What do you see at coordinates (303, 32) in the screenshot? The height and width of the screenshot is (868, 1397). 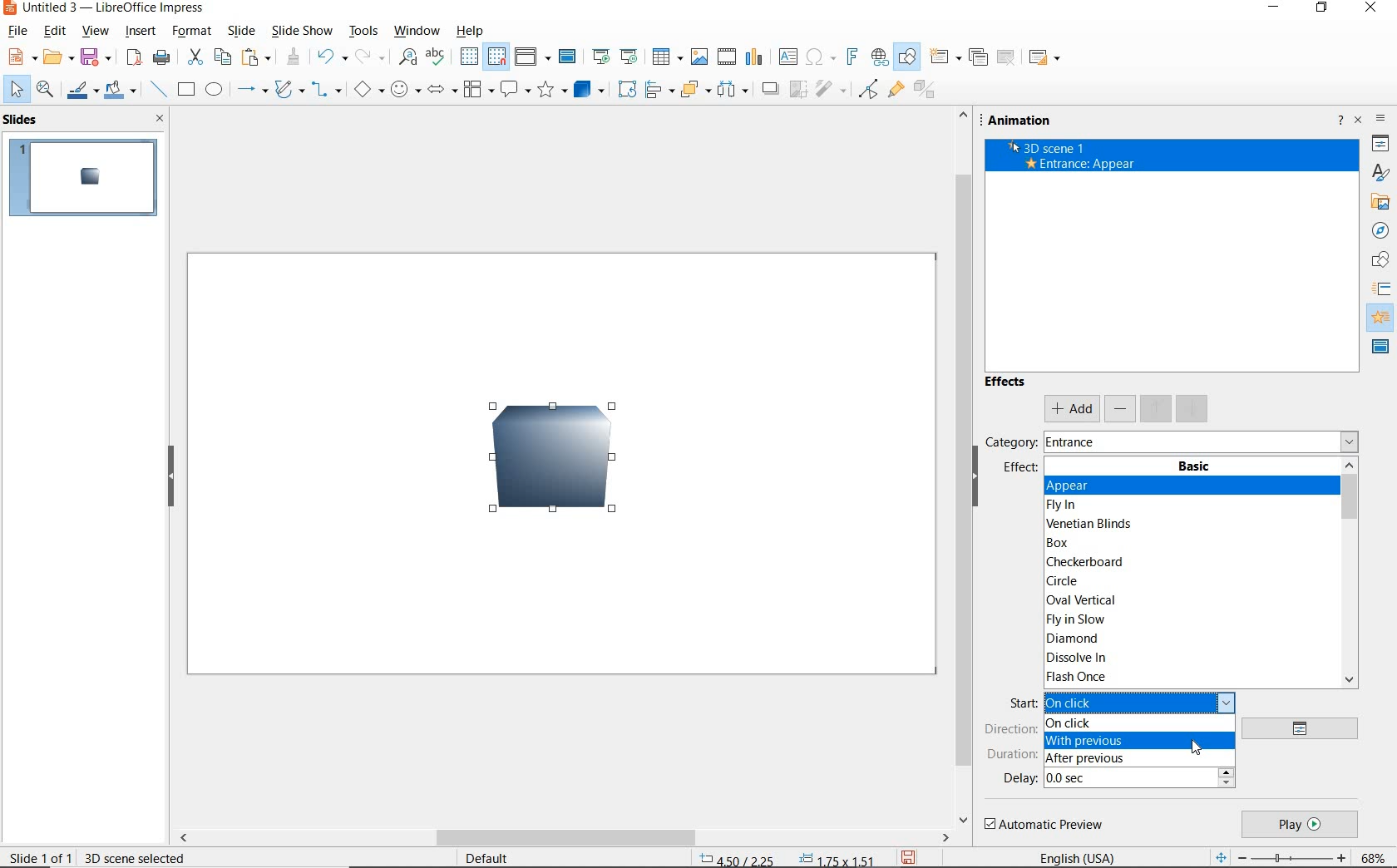 I see `slide show` at bounding box center [303, 32].